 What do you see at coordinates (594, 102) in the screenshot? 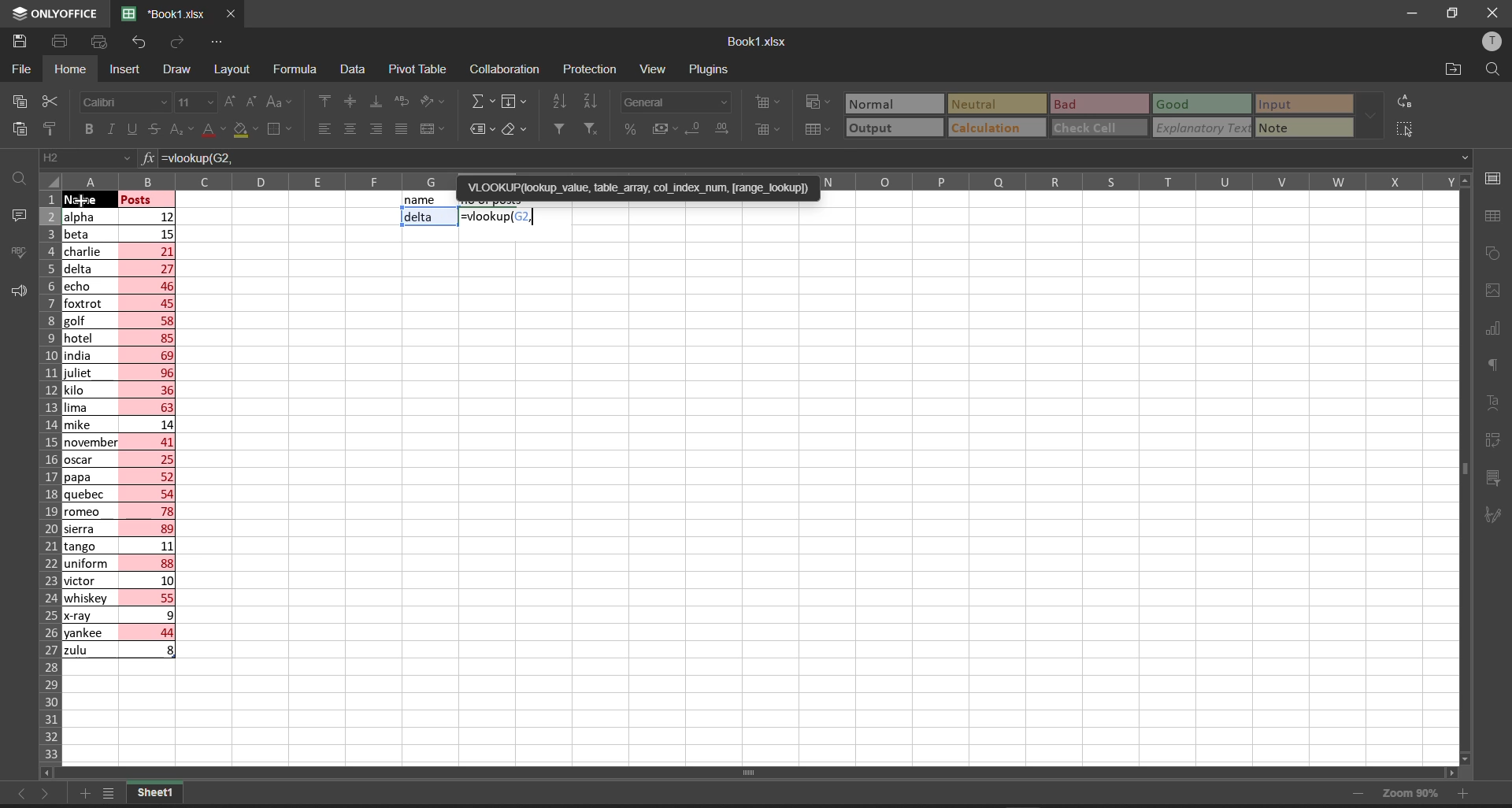
I see `sort descending` at bounding box center [594, 102].